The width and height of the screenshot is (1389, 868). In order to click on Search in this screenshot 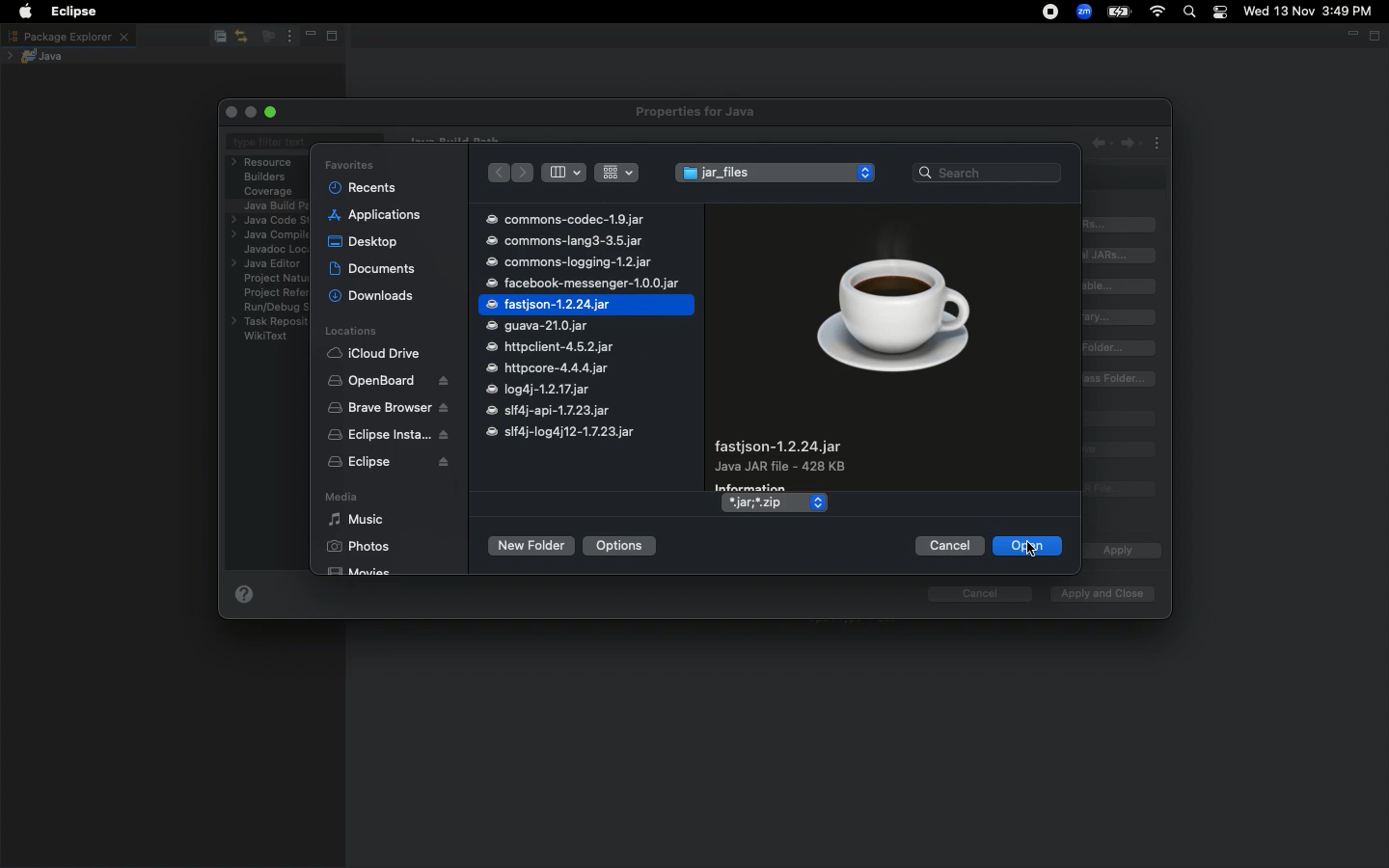, I will do `click(988, 171)`.